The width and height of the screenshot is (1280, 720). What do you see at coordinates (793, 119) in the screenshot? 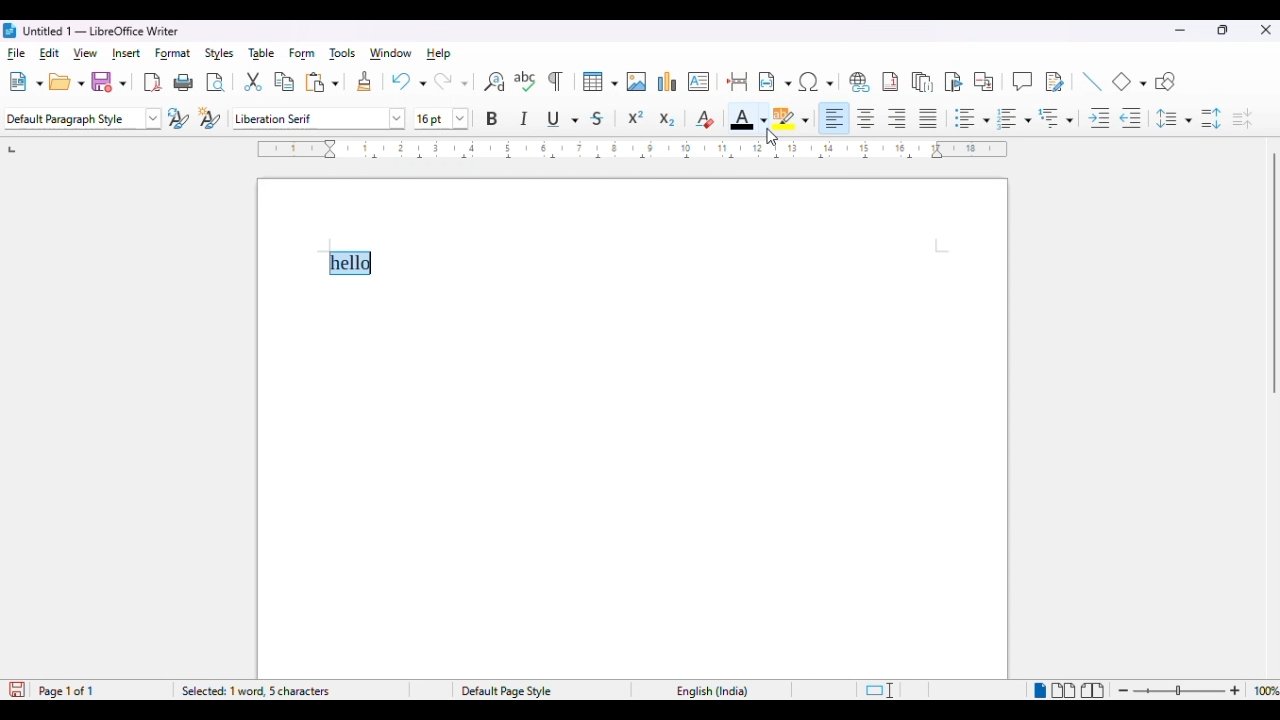
I see `character highlighting color` at bounding box center [793, 119].